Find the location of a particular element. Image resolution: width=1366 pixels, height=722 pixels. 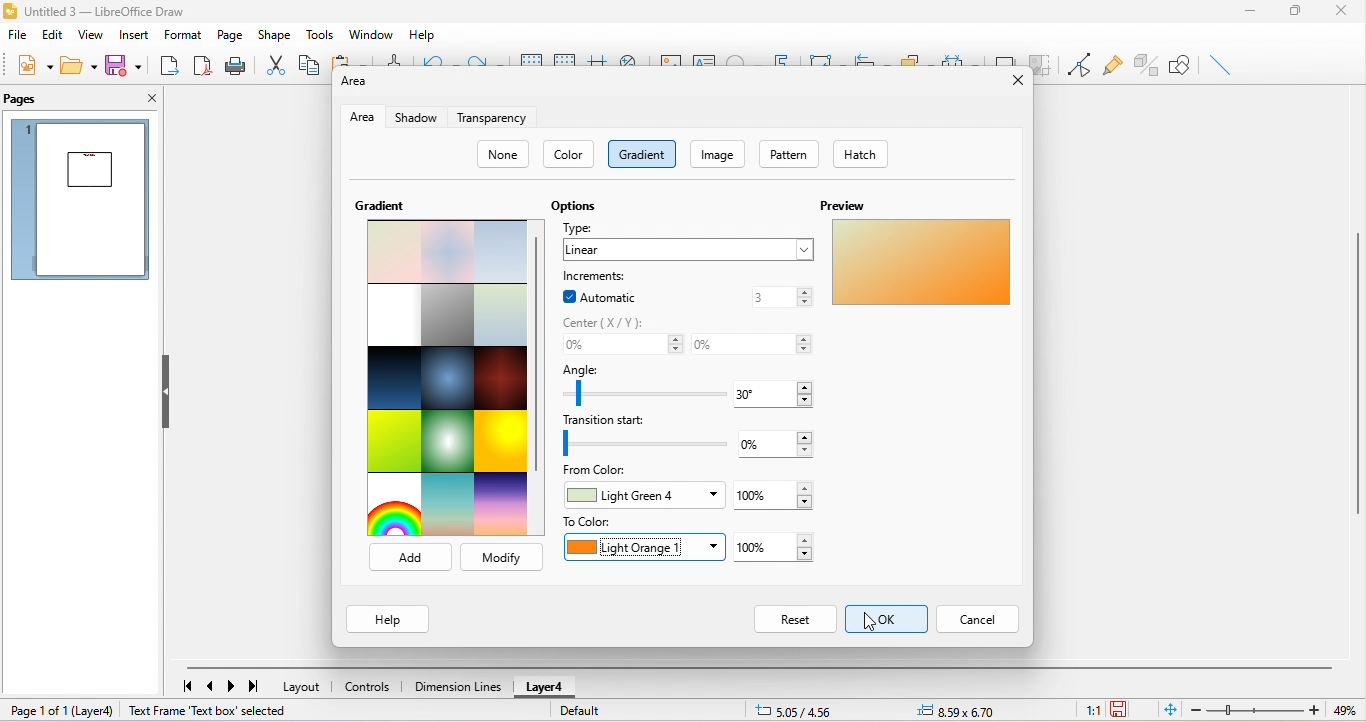

untitled 3- libre office draw is located at coordinates (111, 10).